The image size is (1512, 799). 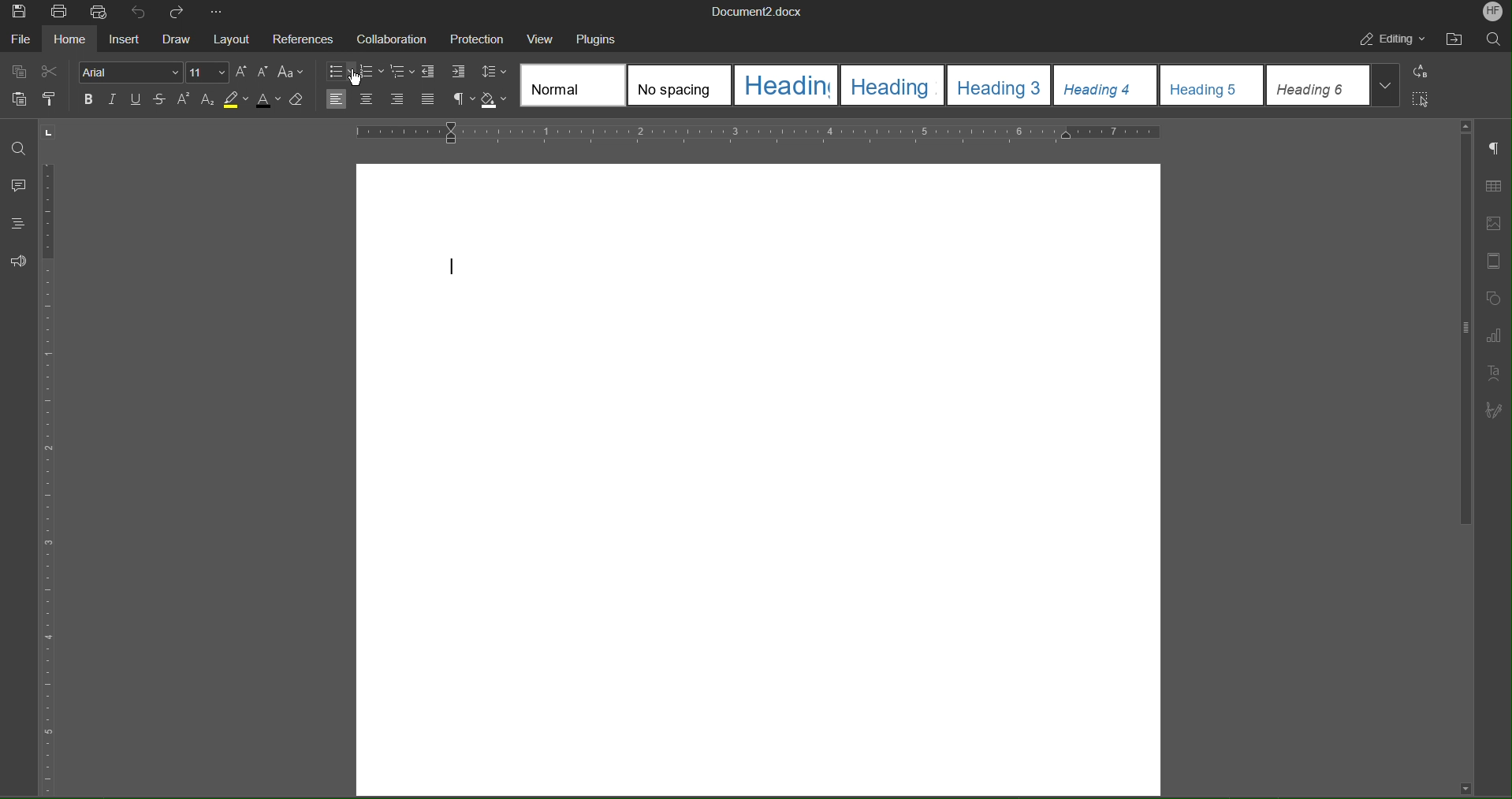 I want to click on Header/Footer, so click(x=1488, y=260).